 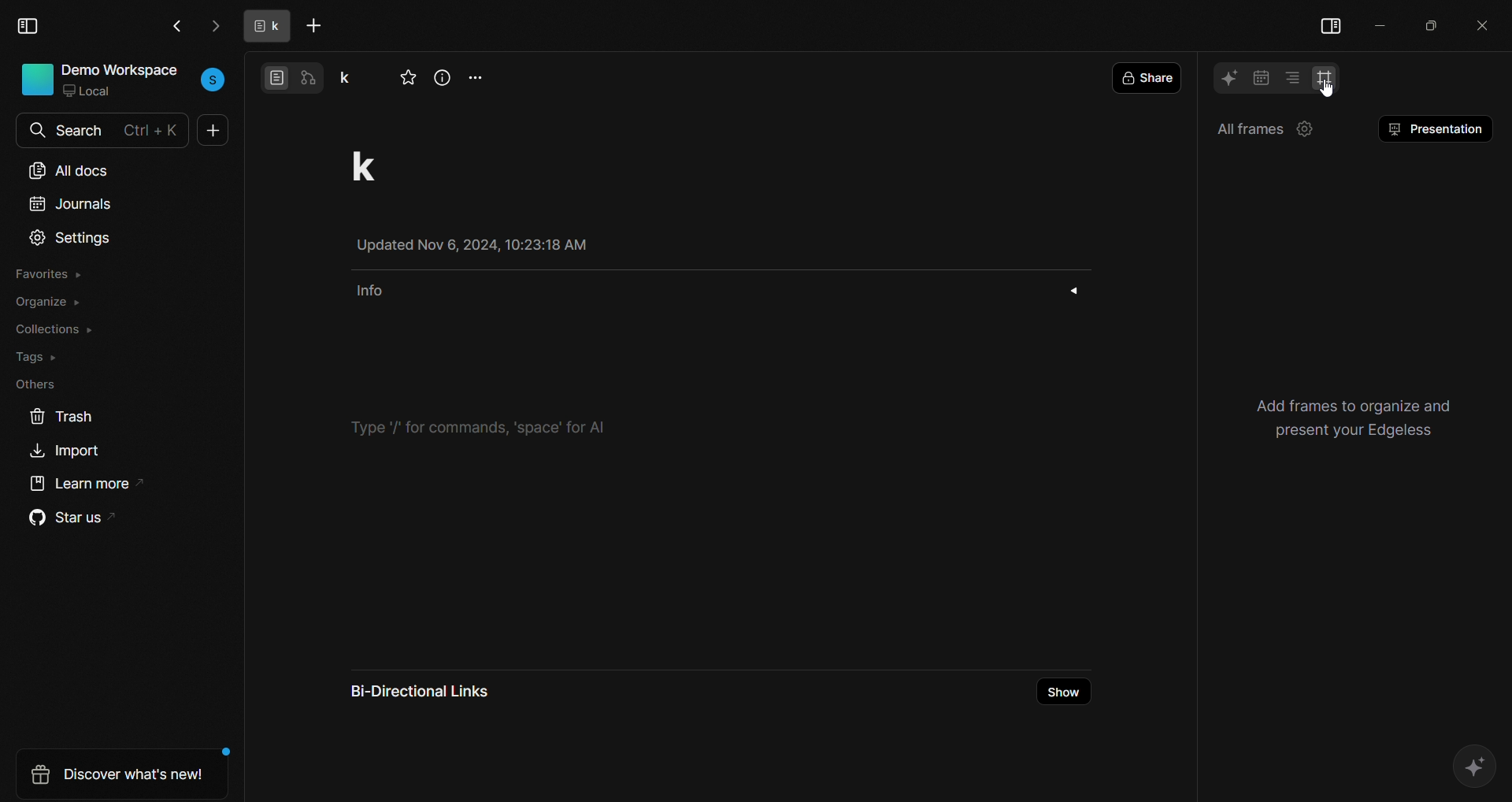 What do you see at coordinates (71, 239) in the screenshot?
I see `settings` at bounding box center [71, 239].